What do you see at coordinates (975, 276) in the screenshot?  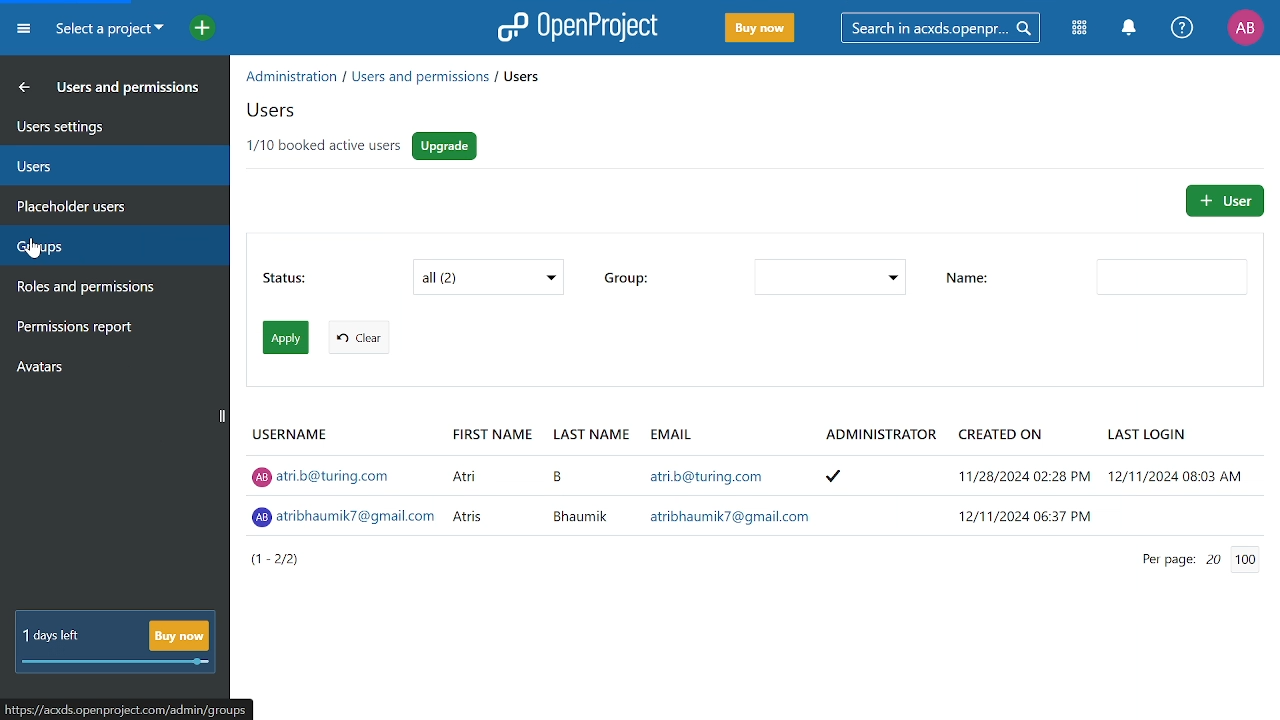 I see `name` at bounding box center [975, 276].